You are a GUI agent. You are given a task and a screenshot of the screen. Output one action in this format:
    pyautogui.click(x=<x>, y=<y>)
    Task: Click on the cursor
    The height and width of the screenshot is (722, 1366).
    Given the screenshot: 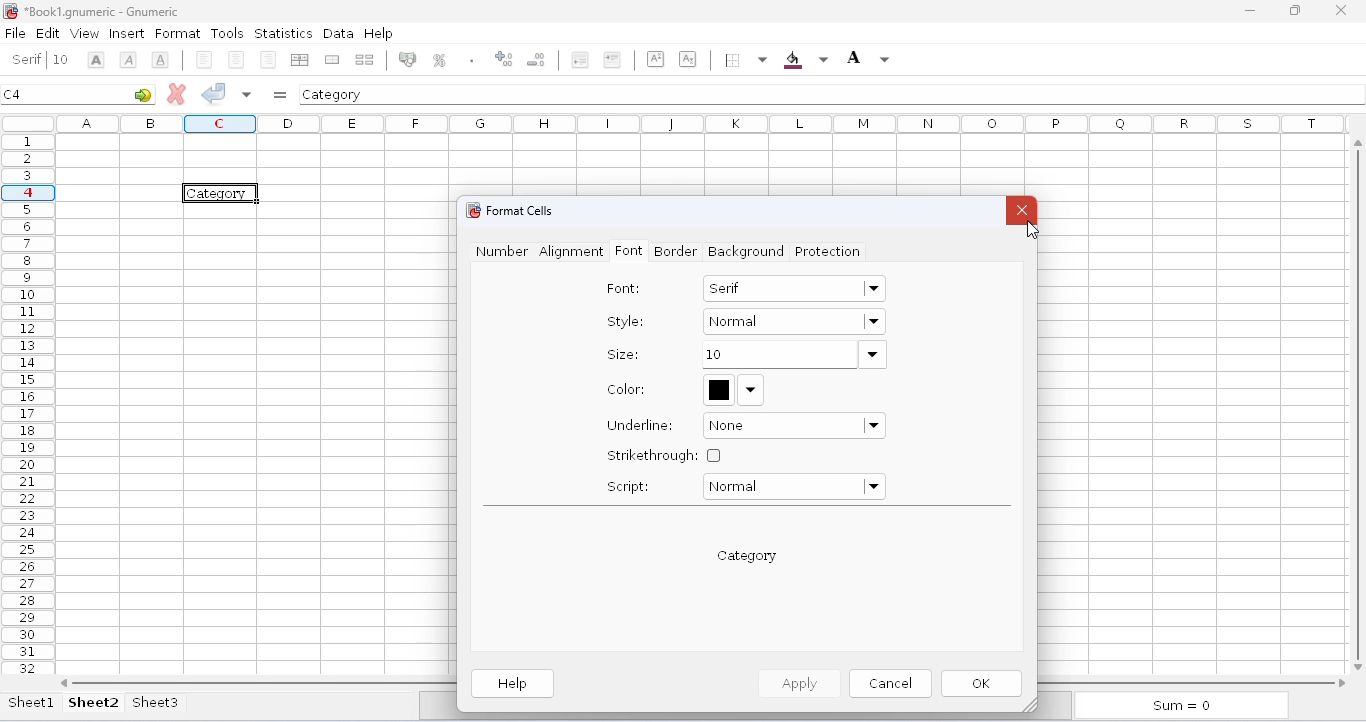 What is the action you would take?
    pyautogui.click(x=1032, y=231)
    